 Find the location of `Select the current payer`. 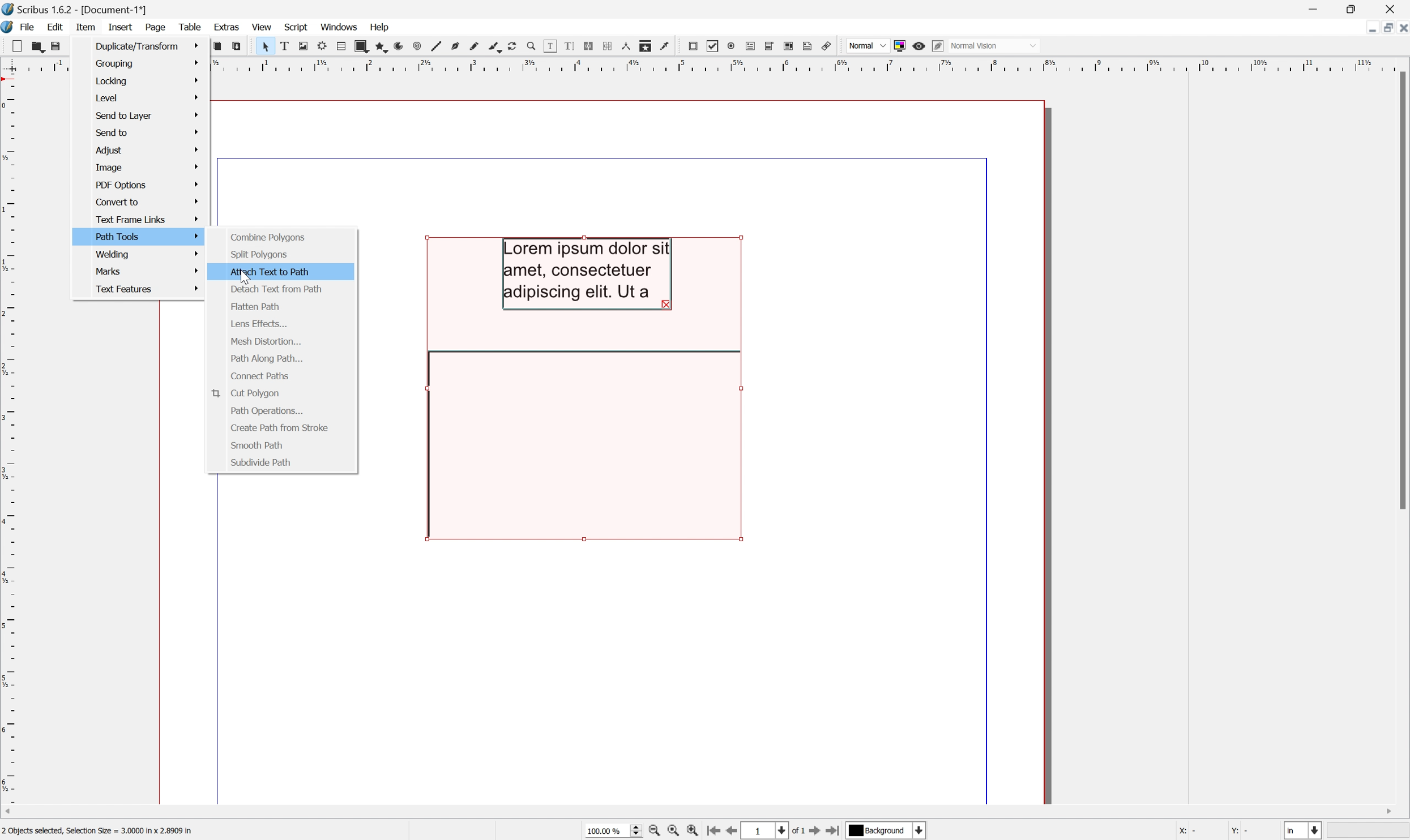

Select the current payer is located at coordinates (887, 832).